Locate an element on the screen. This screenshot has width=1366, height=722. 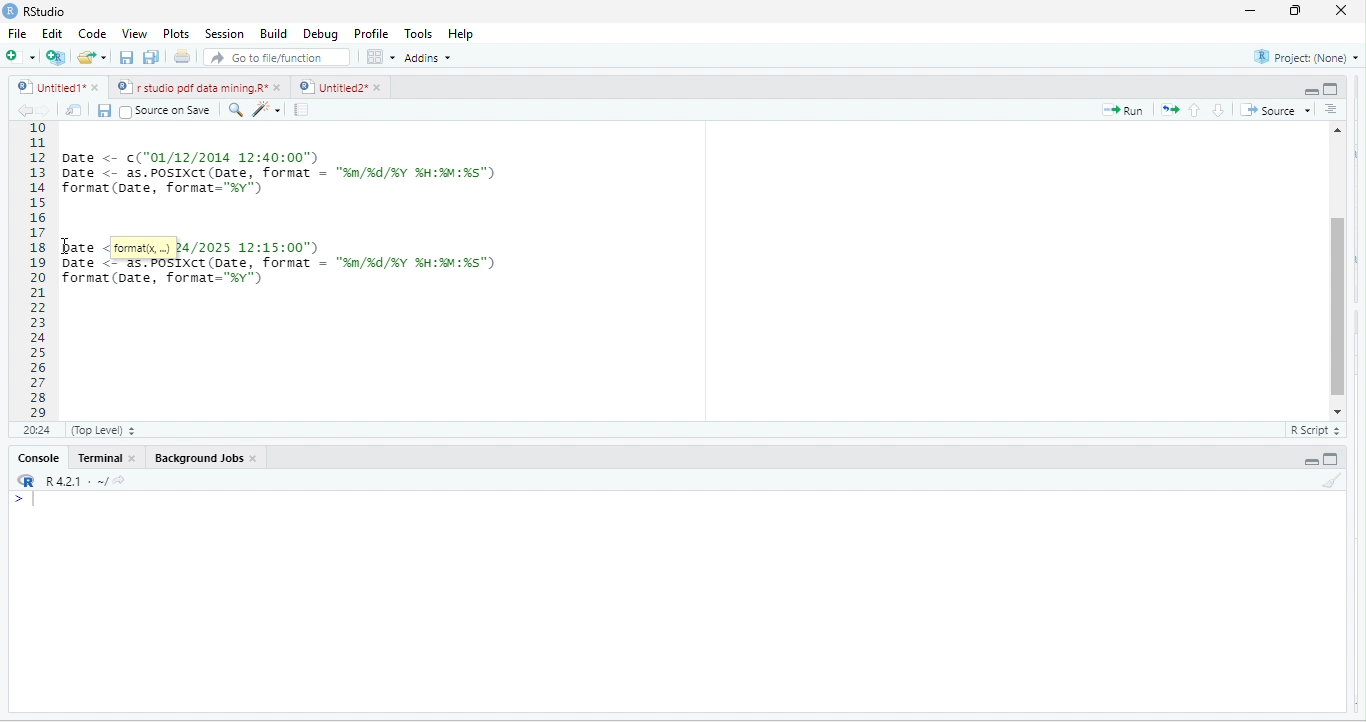
181 is located at coordinates (35, 431).